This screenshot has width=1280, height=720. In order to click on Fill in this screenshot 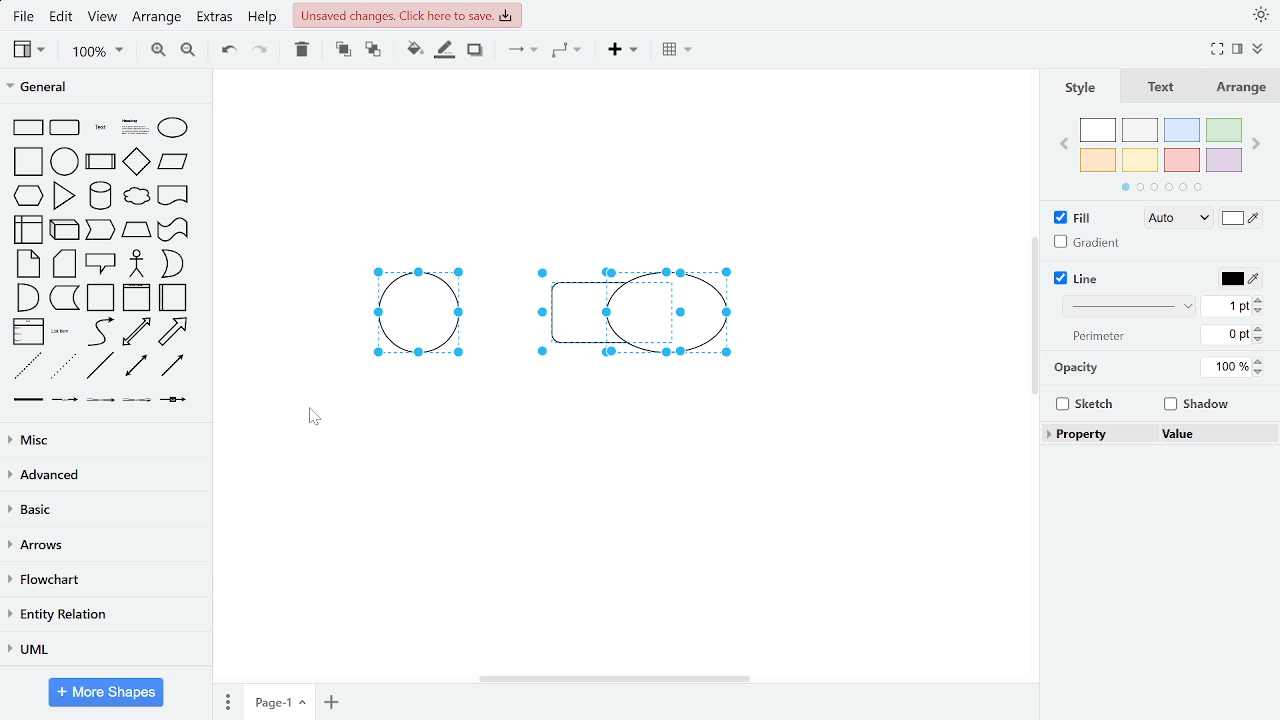, I will do `click(1073, 216)`.